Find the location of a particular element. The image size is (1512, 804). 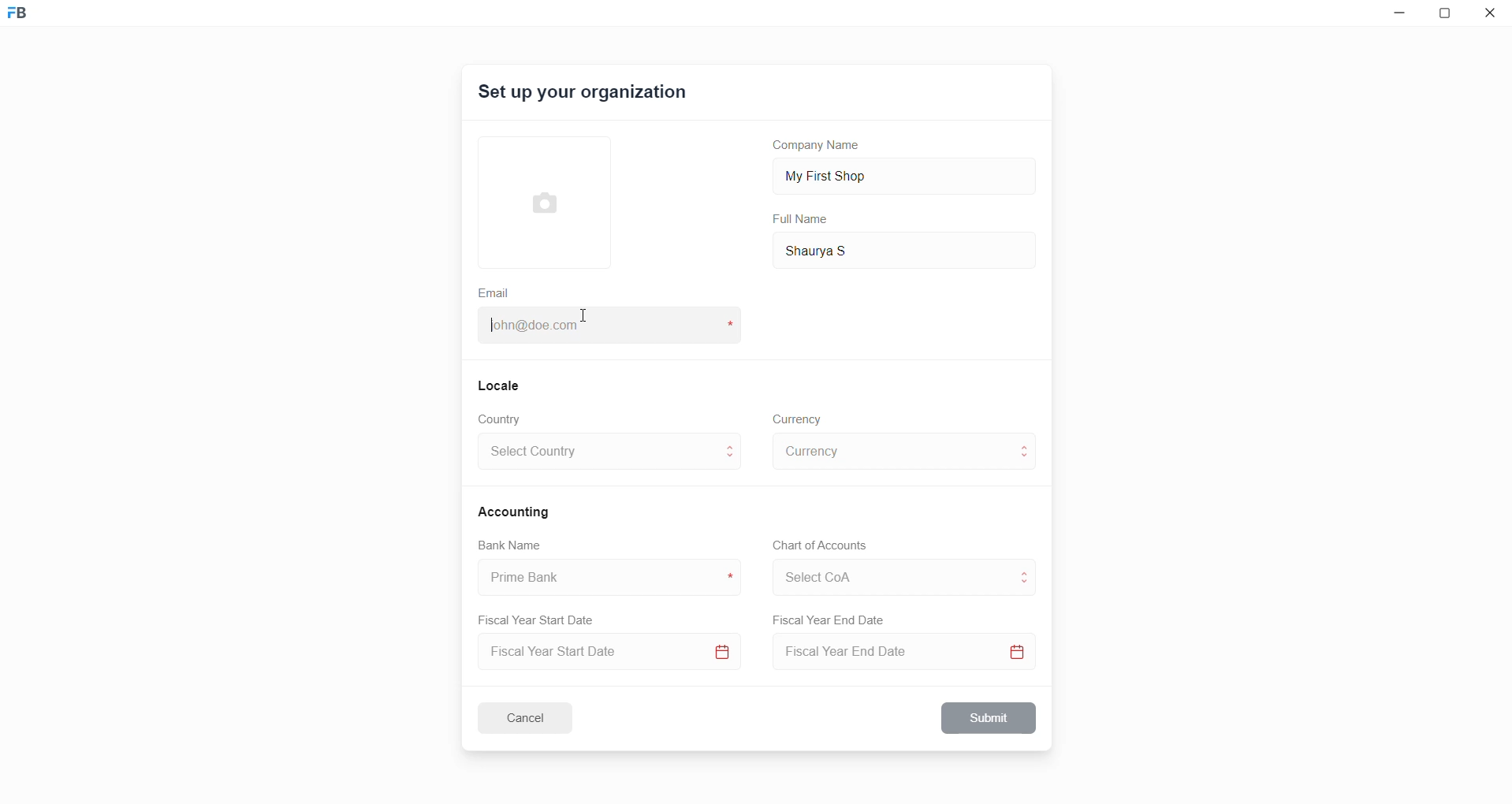

Chart of Accounts is located at coordinates (815, 545).